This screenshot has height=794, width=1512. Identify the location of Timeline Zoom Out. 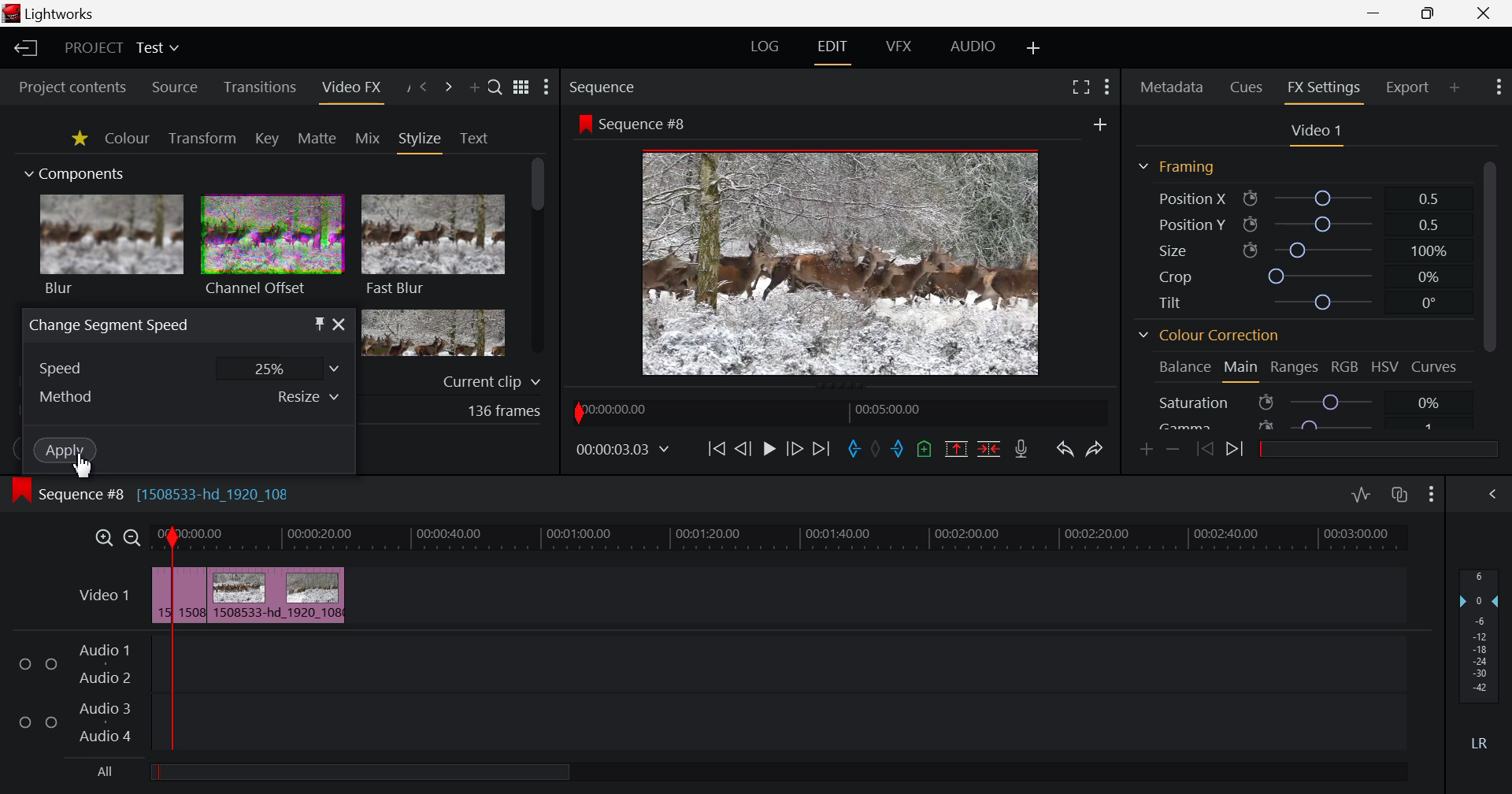
(133, 538).